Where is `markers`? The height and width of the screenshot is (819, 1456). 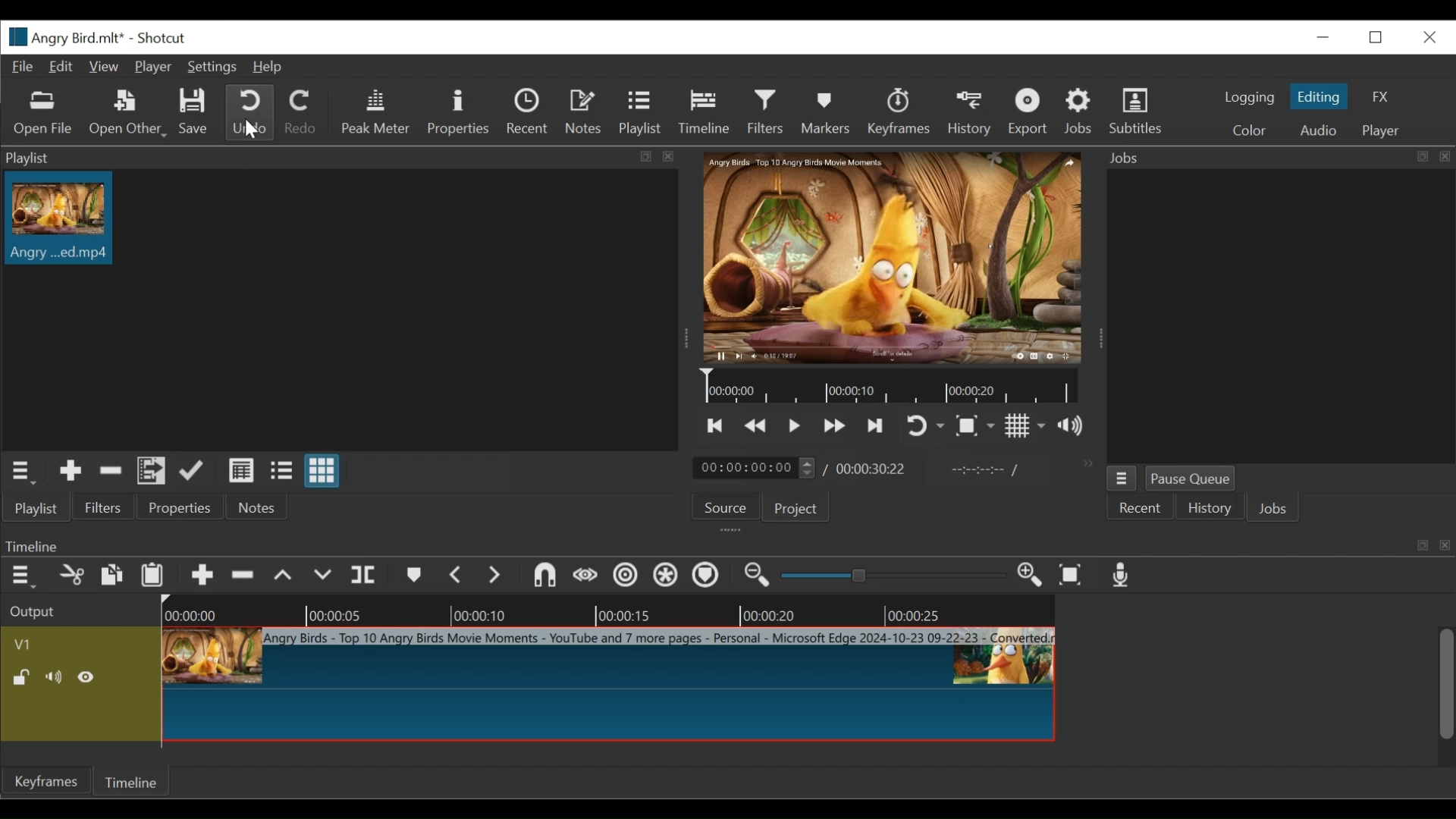 markers is located at coordinates (415, 576).